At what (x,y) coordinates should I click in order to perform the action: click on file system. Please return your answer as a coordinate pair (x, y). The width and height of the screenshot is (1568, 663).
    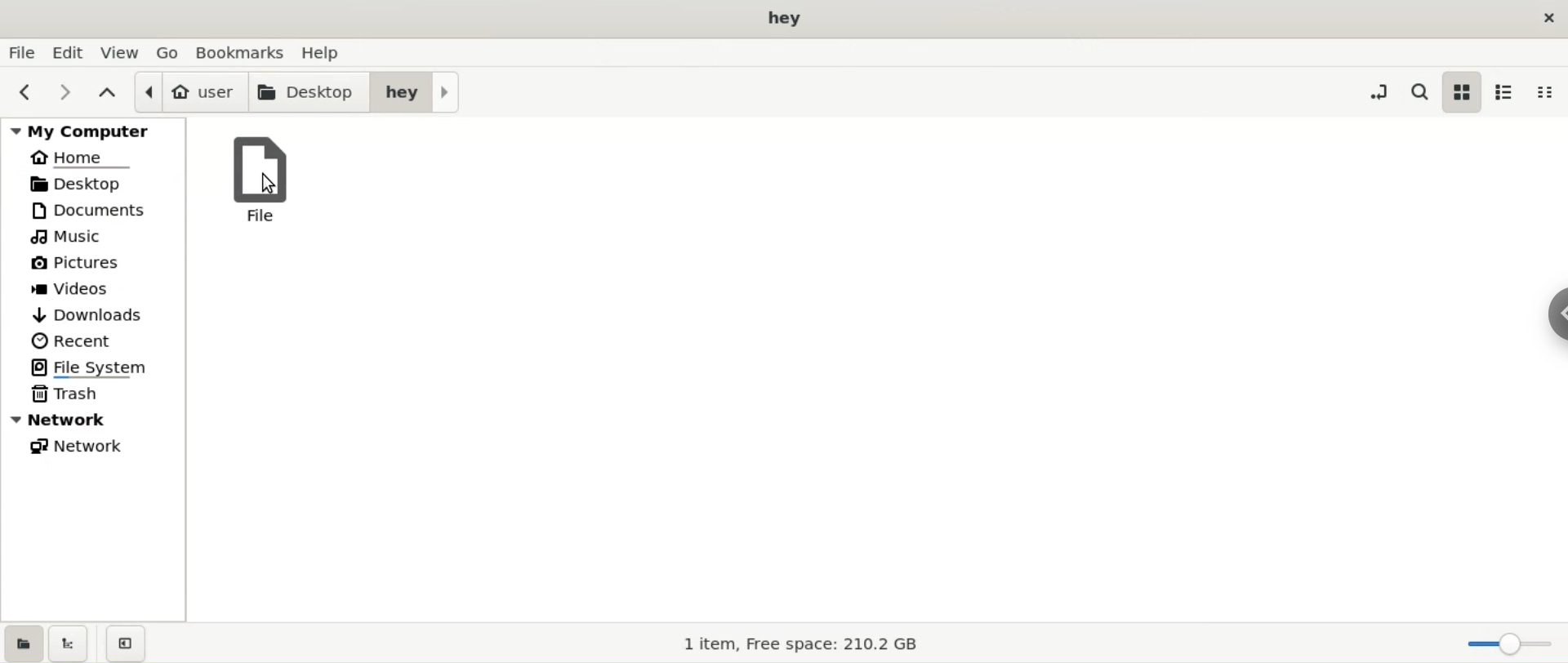
    Looking at the image, I should click on (93, 366).